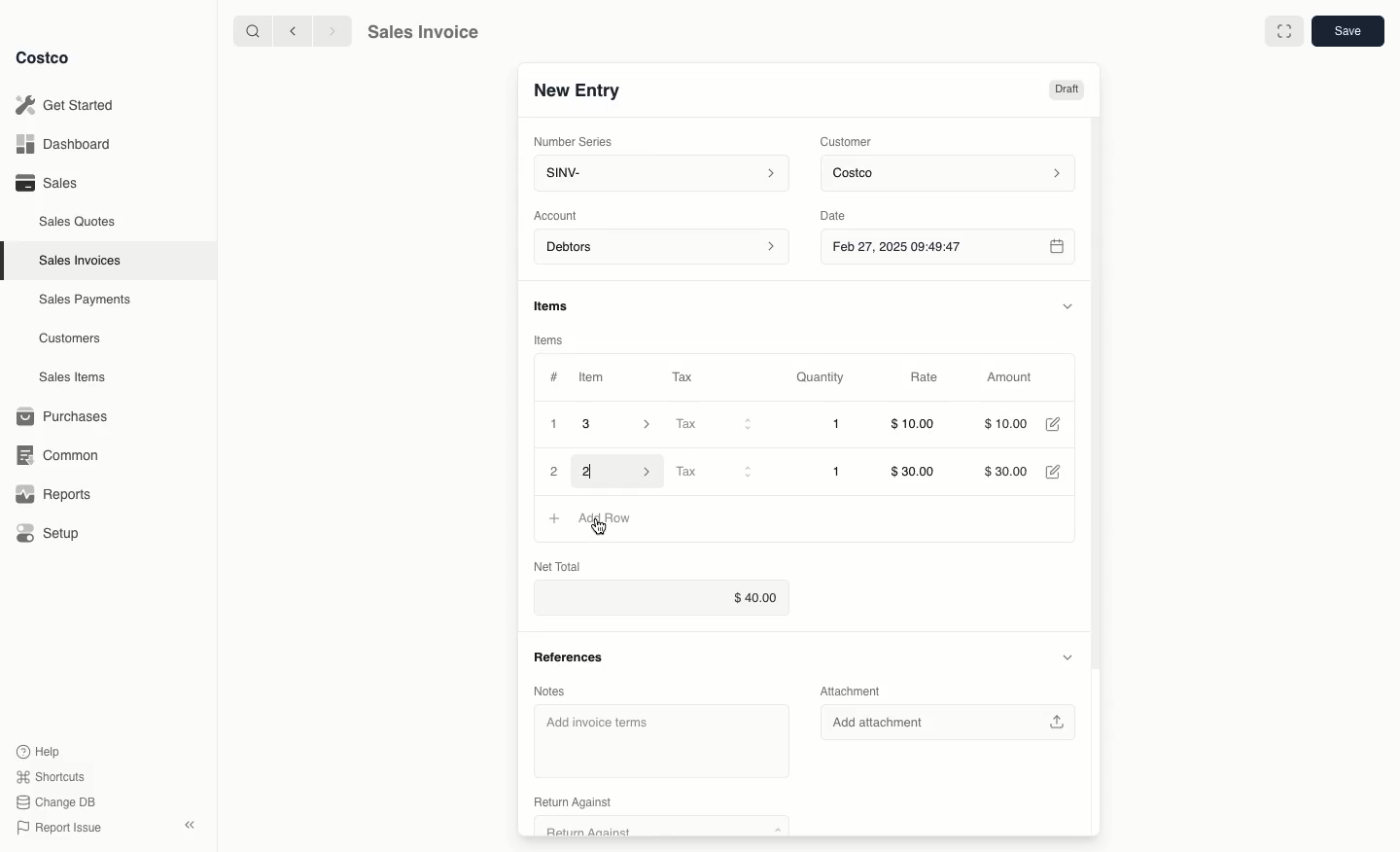 Image resolution: width=1400 pixels, height=852 pixels. Describe the element at coordinates (75, 375) in the screenshot. I see `Sales Items` at that location.